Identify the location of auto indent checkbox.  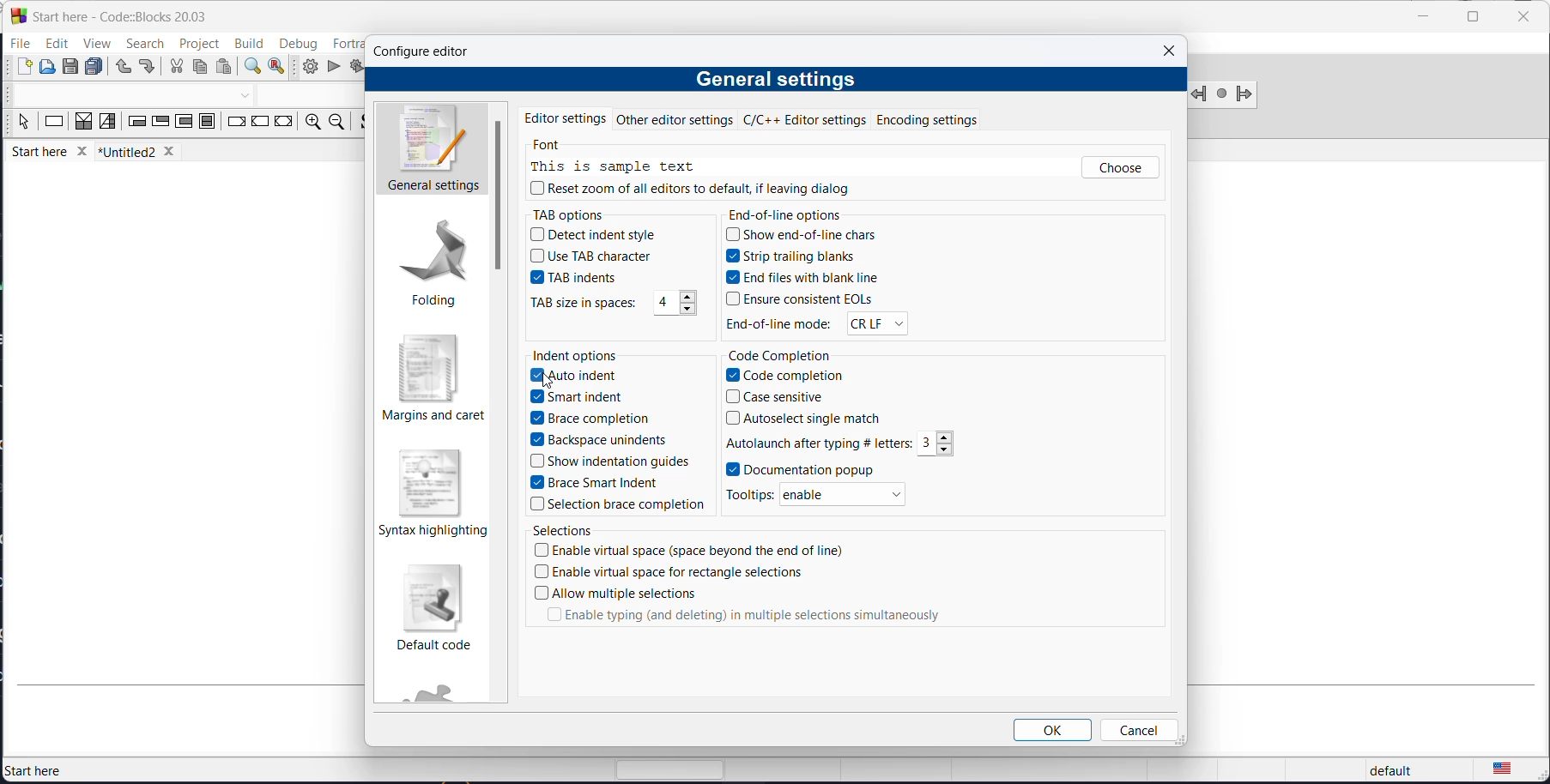
(578, 377).